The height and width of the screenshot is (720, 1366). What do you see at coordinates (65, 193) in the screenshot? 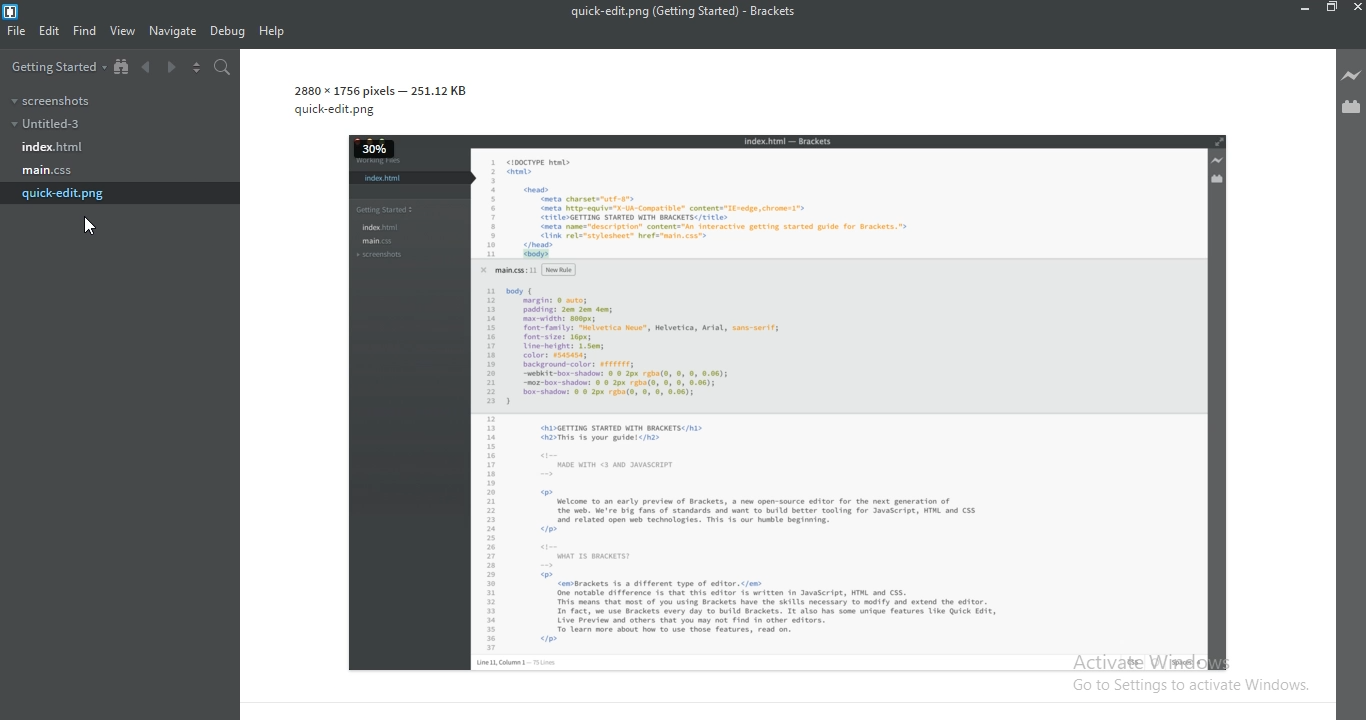
I see `quick-edit.png` at bounding box center [65, 193].